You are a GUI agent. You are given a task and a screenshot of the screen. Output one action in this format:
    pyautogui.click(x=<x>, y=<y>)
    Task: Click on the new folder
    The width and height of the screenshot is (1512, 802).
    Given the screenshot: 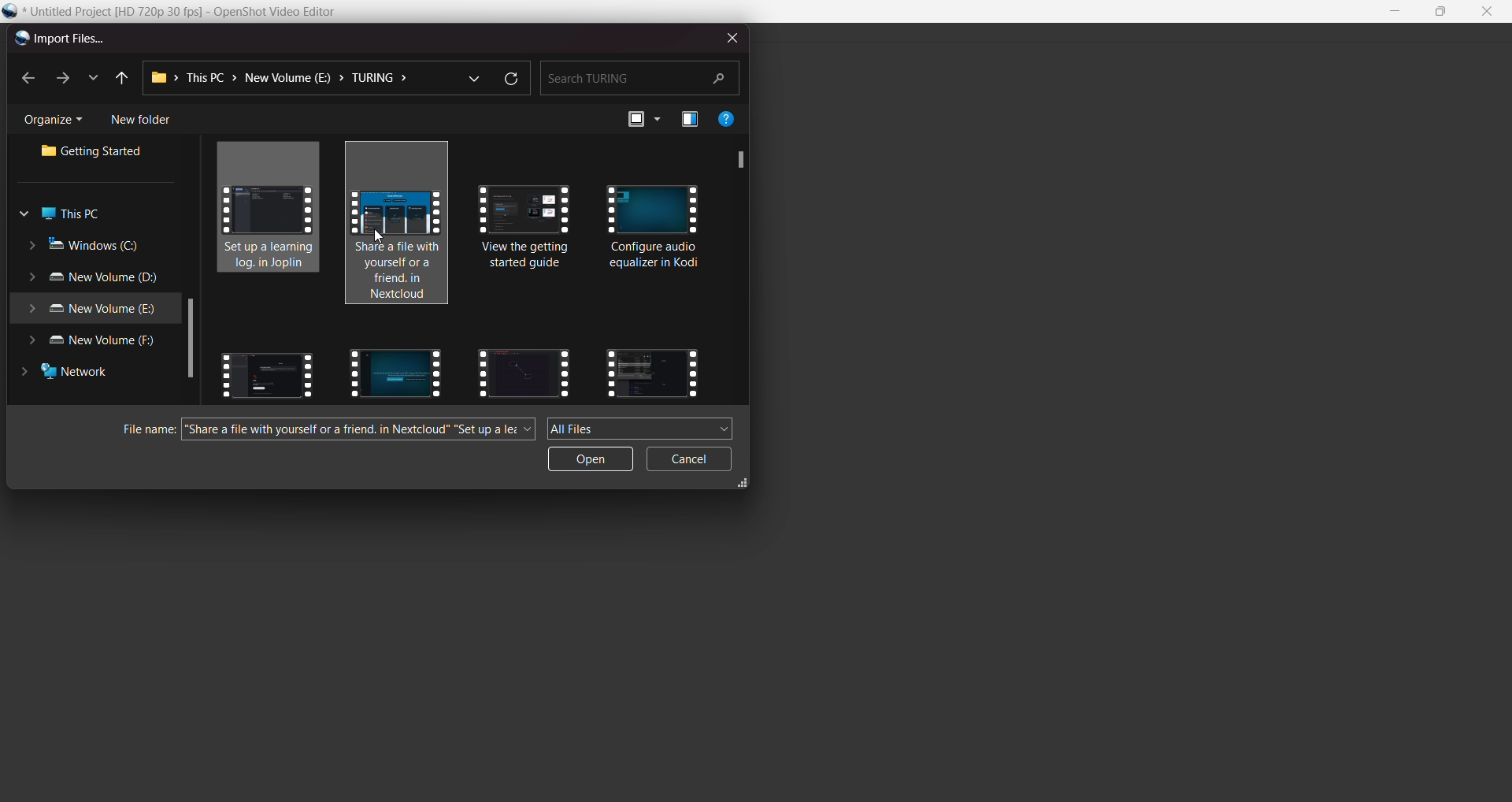 What is the action you would take?
    pyautogui.click(x=141, y=120)
    